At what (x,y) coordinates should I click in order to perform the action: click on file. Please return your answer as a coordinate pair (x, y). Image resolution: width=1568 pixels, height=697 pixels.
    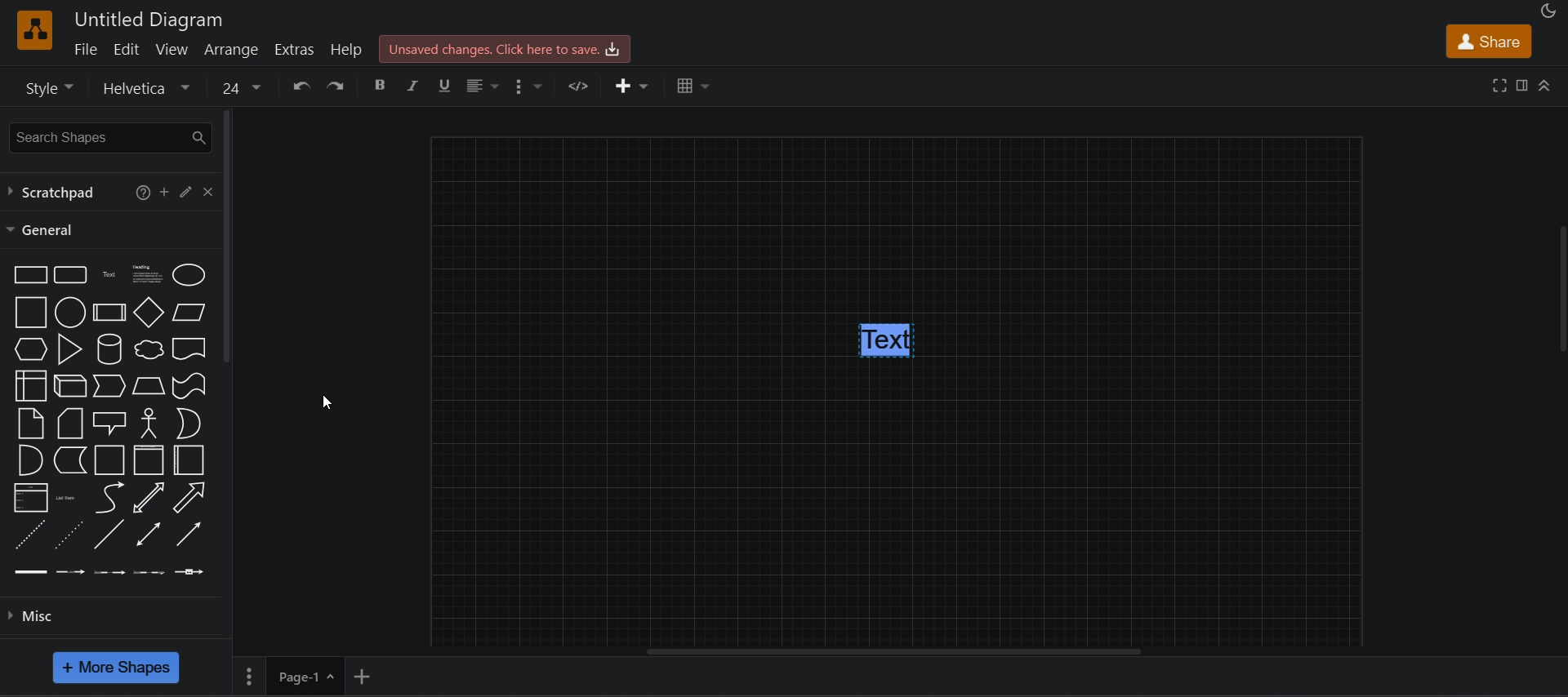
    Looking at the image, I should click on (85, 48).